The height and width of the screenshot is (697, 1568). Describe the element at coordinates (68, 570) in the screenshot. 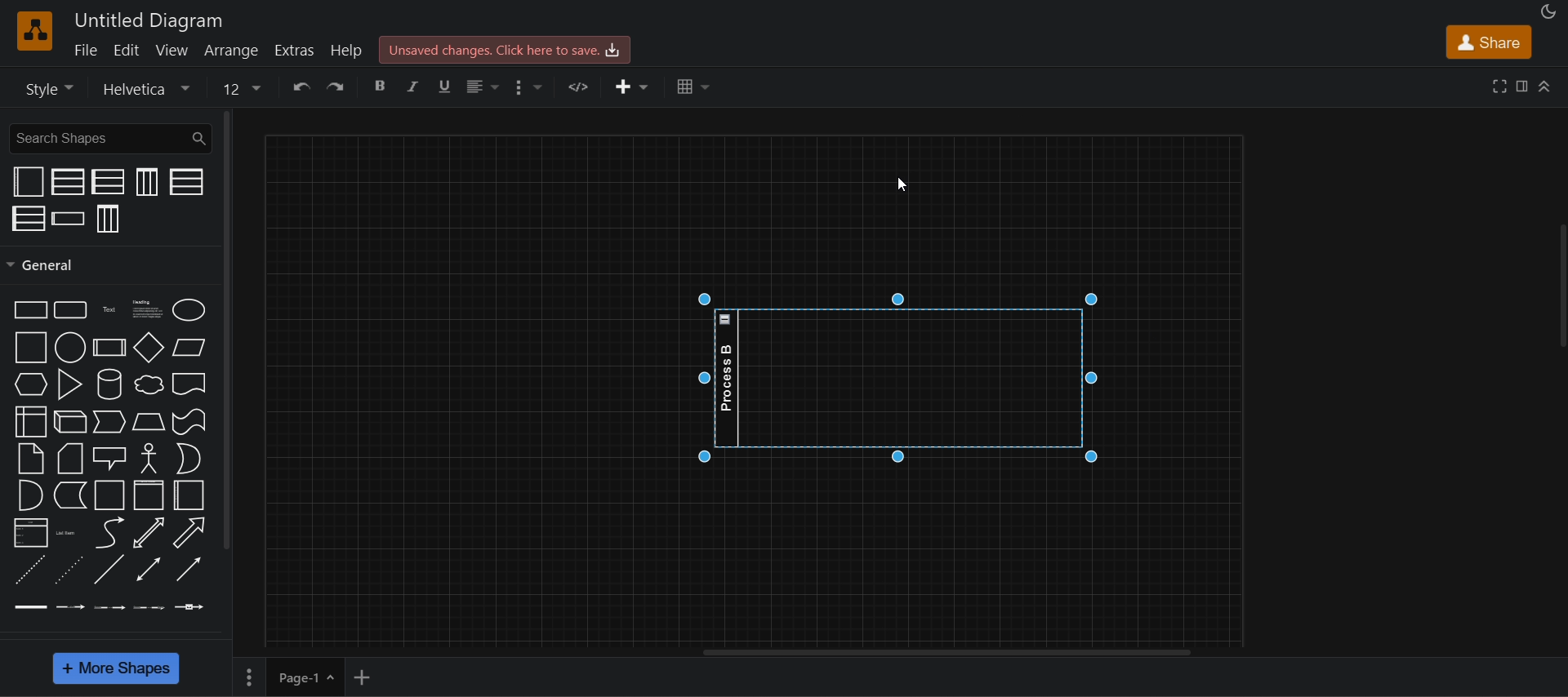

I see `dotted line` at that location.